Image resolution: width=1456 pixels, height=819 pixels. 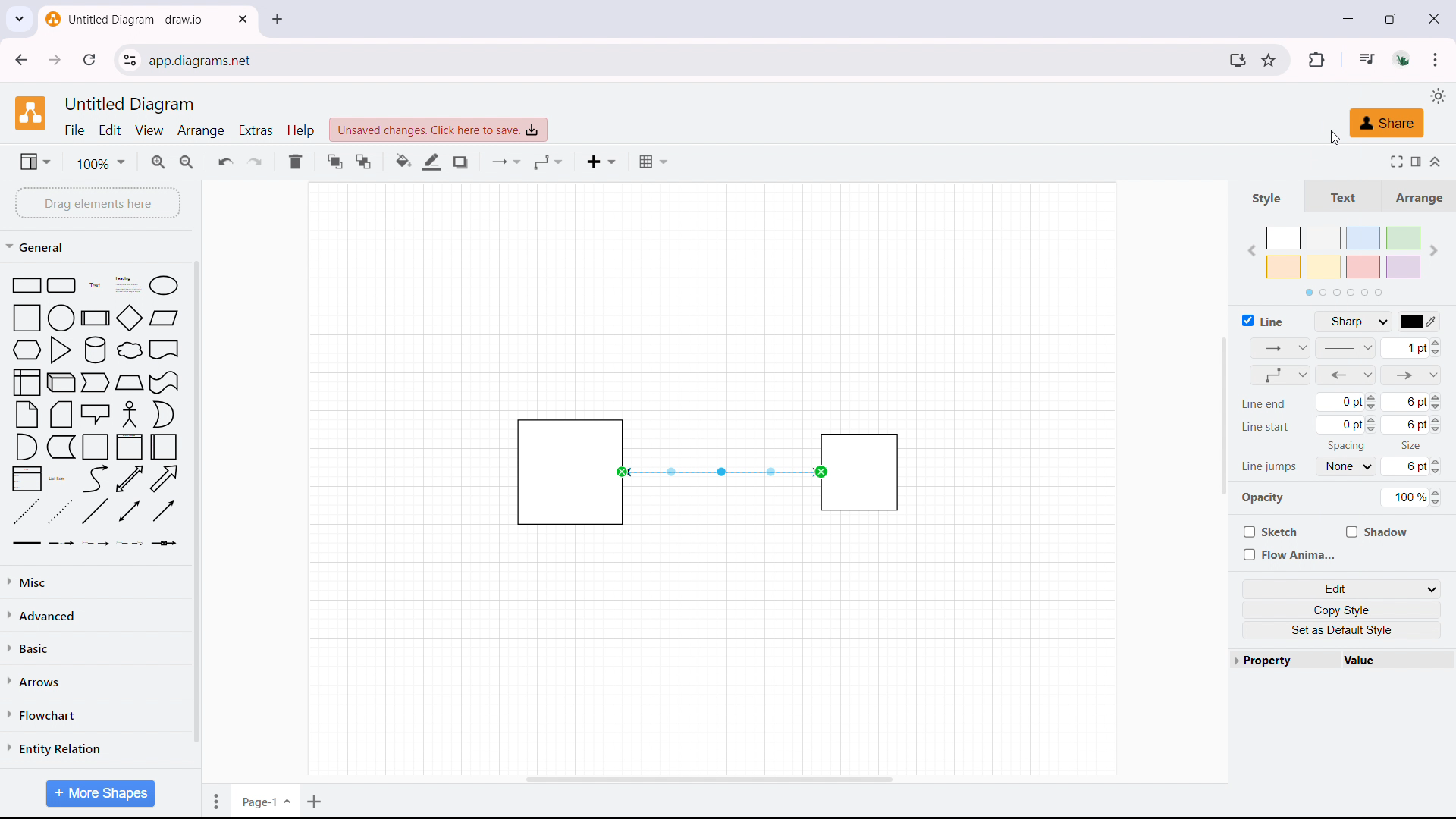 I want to click on color styles, so click(x=1342, y=260).